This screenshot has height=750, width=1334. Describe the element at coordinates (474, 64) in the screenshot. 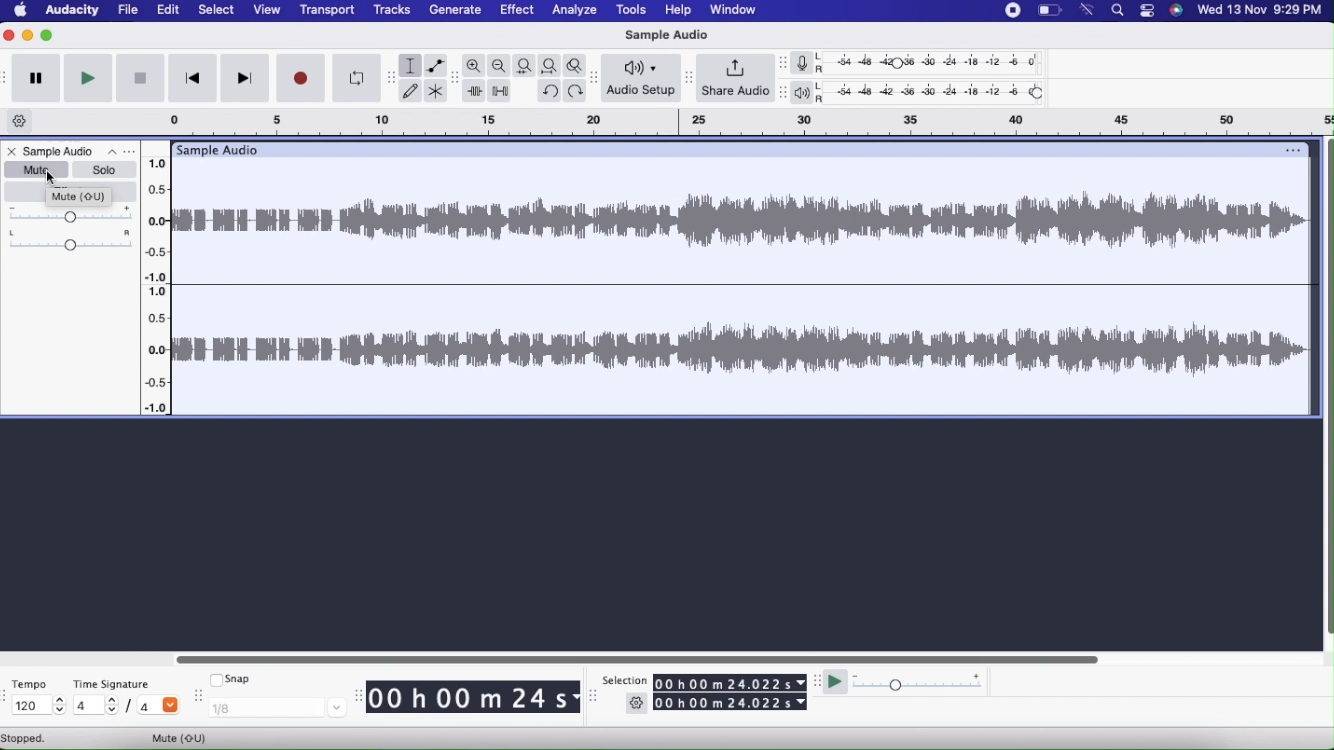

I see `Zoom in` at that location.